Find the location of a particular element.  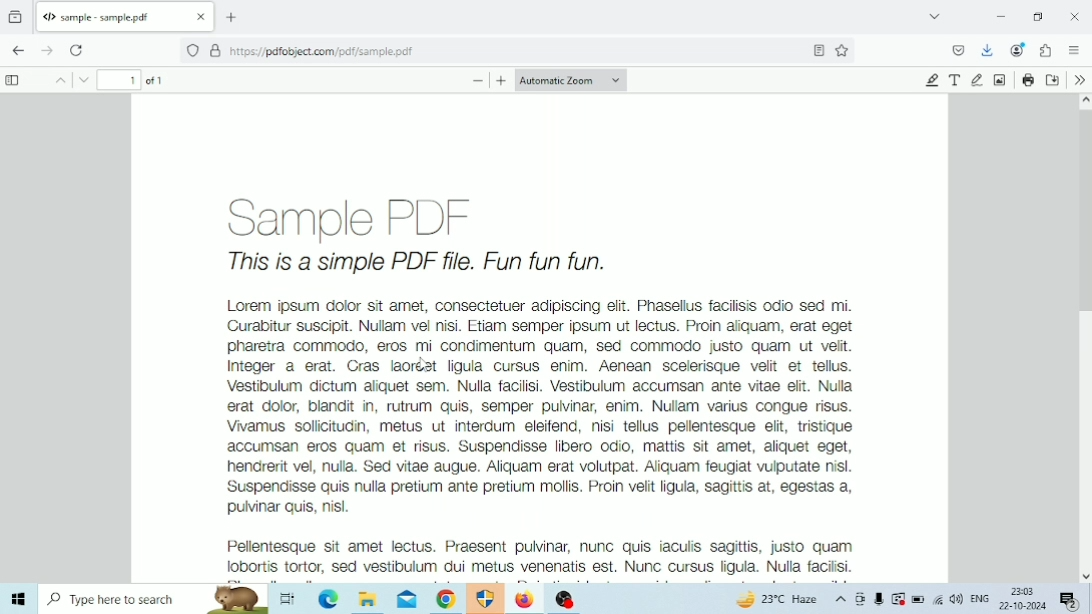

Save to pocket is located at coordinates (988, 51).